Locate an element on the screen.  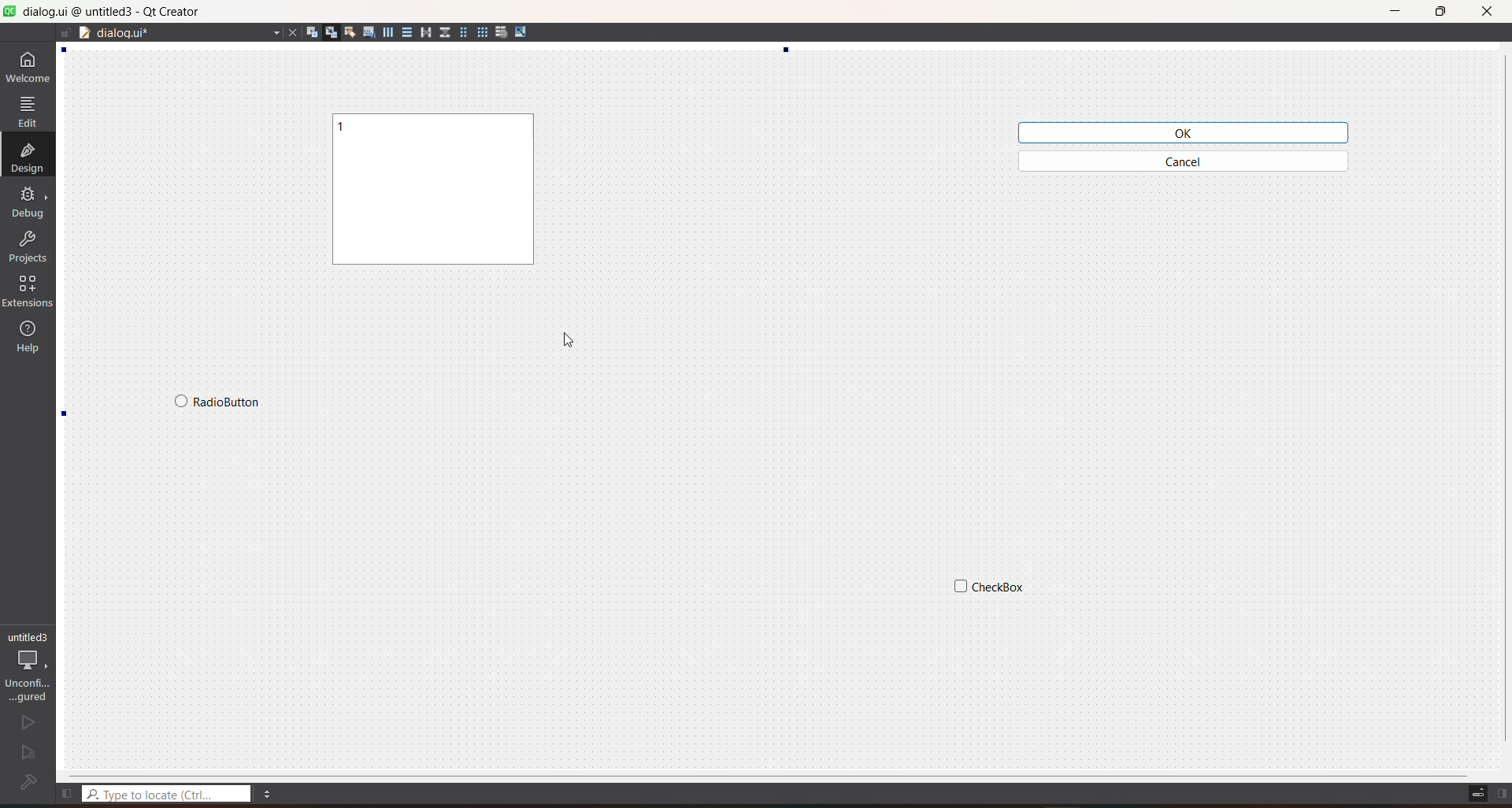
form layout is located at coordinates (462, 33).